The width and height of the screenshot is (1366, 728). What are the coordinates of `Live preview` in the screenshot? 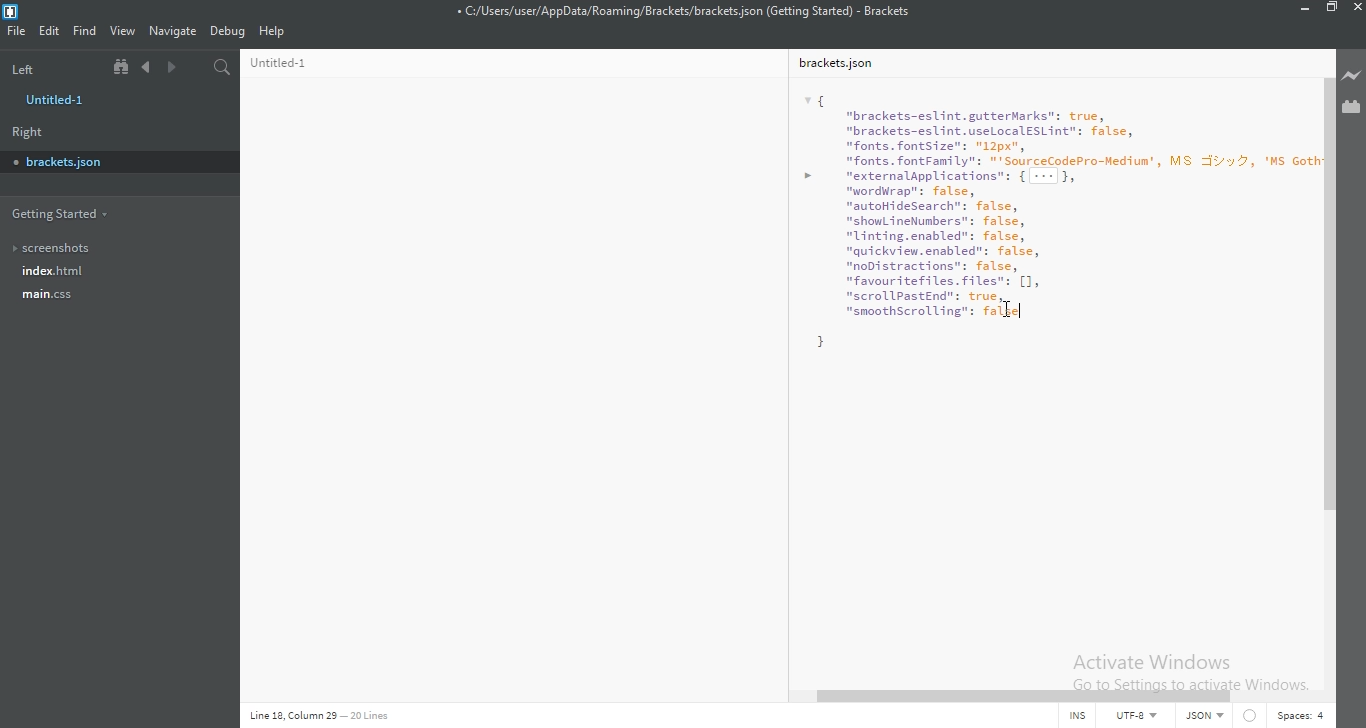 It's located at (1353, 71).